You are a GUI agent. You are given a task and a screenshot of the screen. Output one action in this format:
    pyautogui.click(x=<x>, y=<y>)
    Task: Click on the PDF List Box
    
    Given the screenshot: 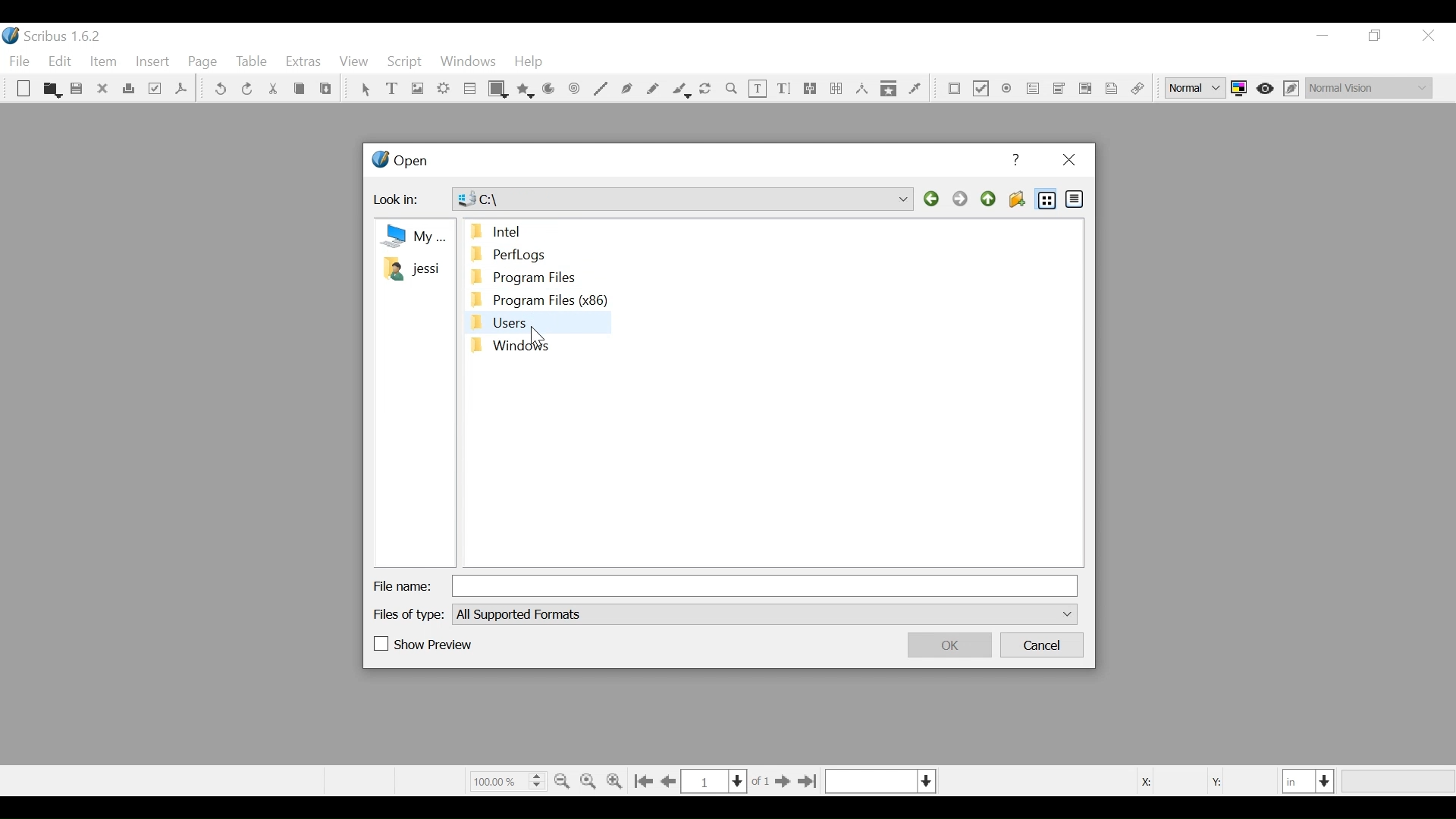 What is the action you would take?
    pyautogui.click(x=1059, y=89)
    